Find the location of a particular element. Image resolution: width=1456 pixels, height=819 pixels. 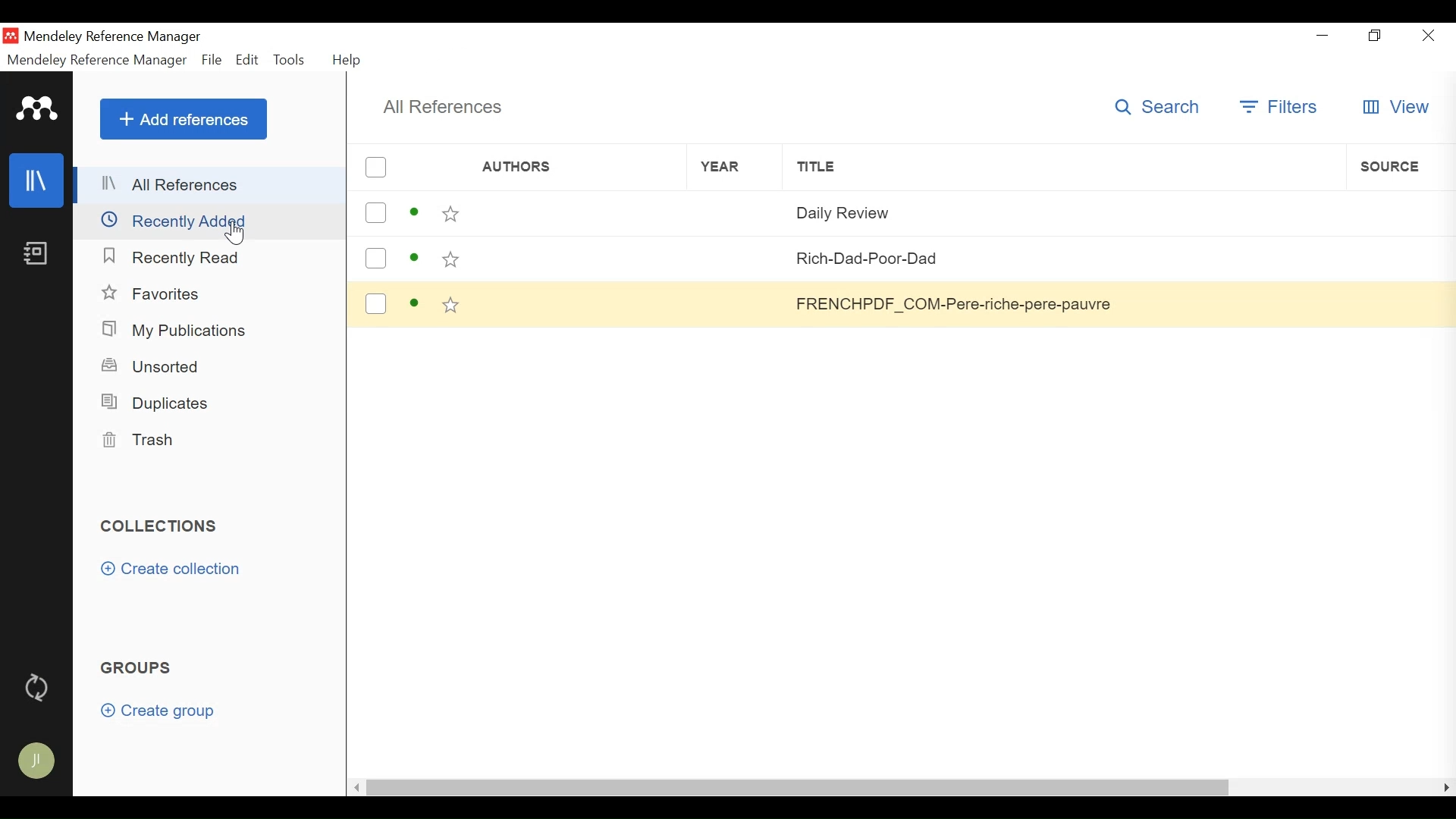

My Publications is located at coordinates (177, 330).